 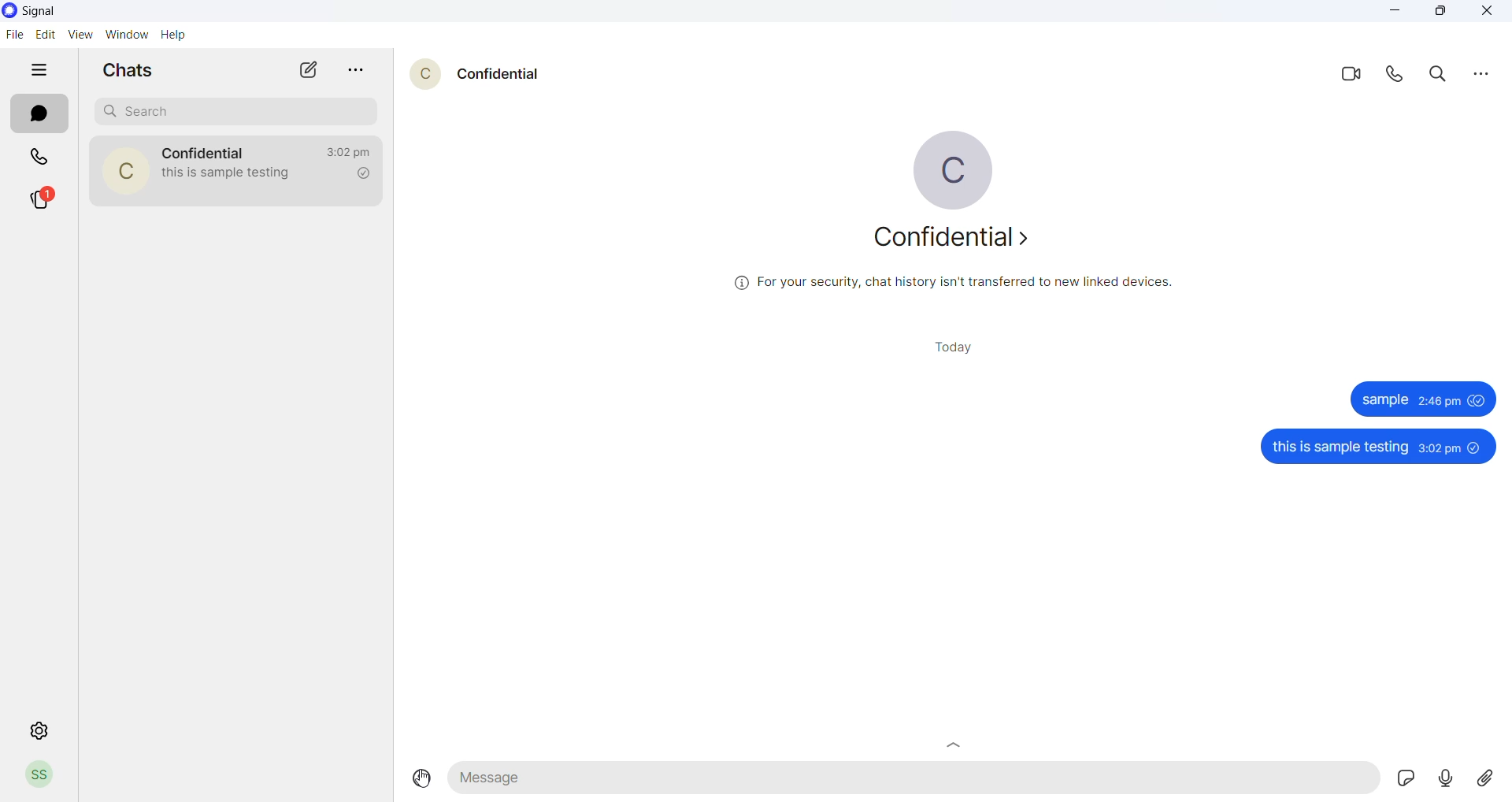 What do you see at coordinates (1436, 75) in the screenshot?
I see `search in messages` at bounding box center [1436, 75].